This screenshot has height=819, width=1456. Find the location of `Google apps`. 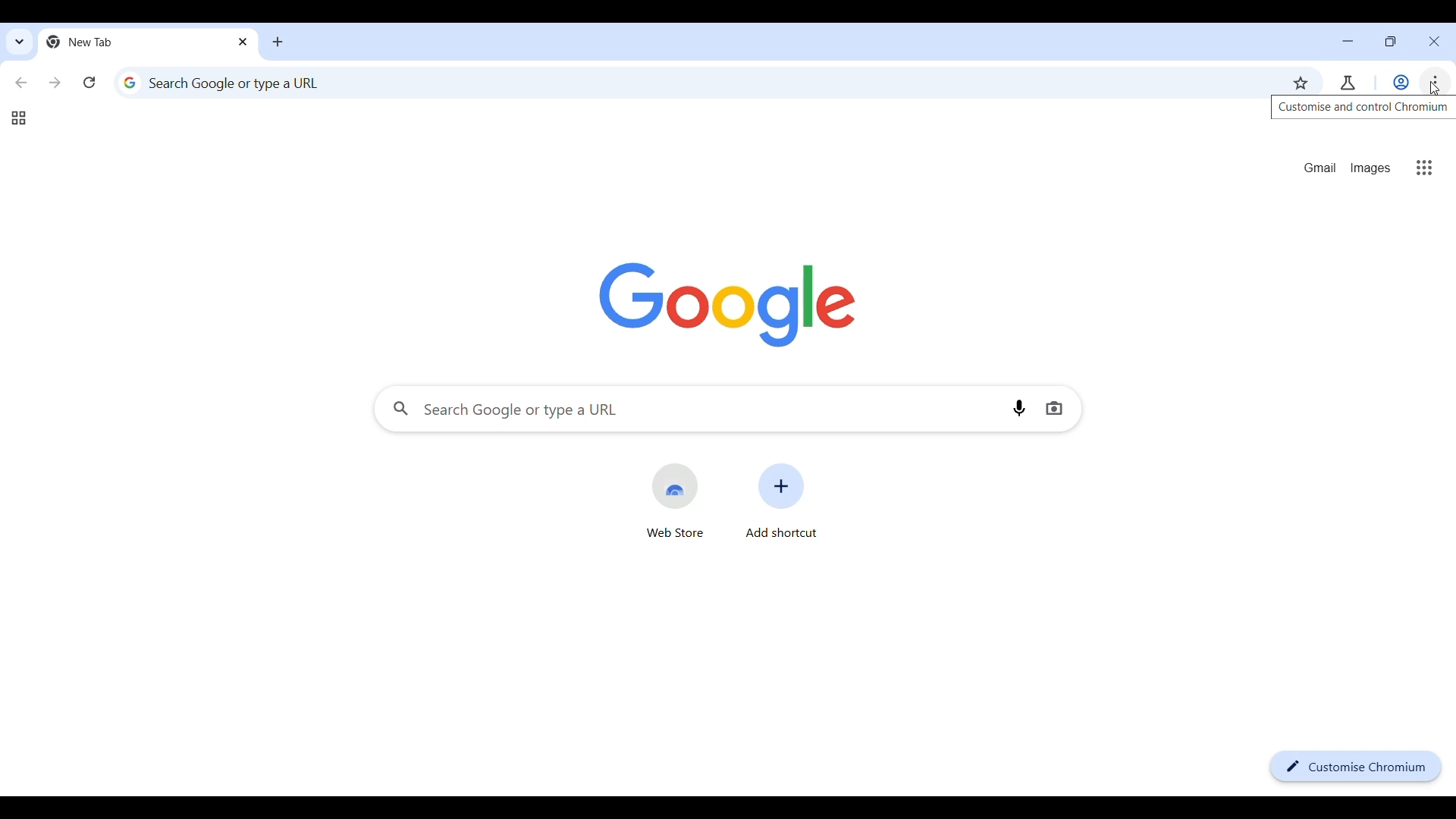

Google apps is located at coordinates (1423, 168).